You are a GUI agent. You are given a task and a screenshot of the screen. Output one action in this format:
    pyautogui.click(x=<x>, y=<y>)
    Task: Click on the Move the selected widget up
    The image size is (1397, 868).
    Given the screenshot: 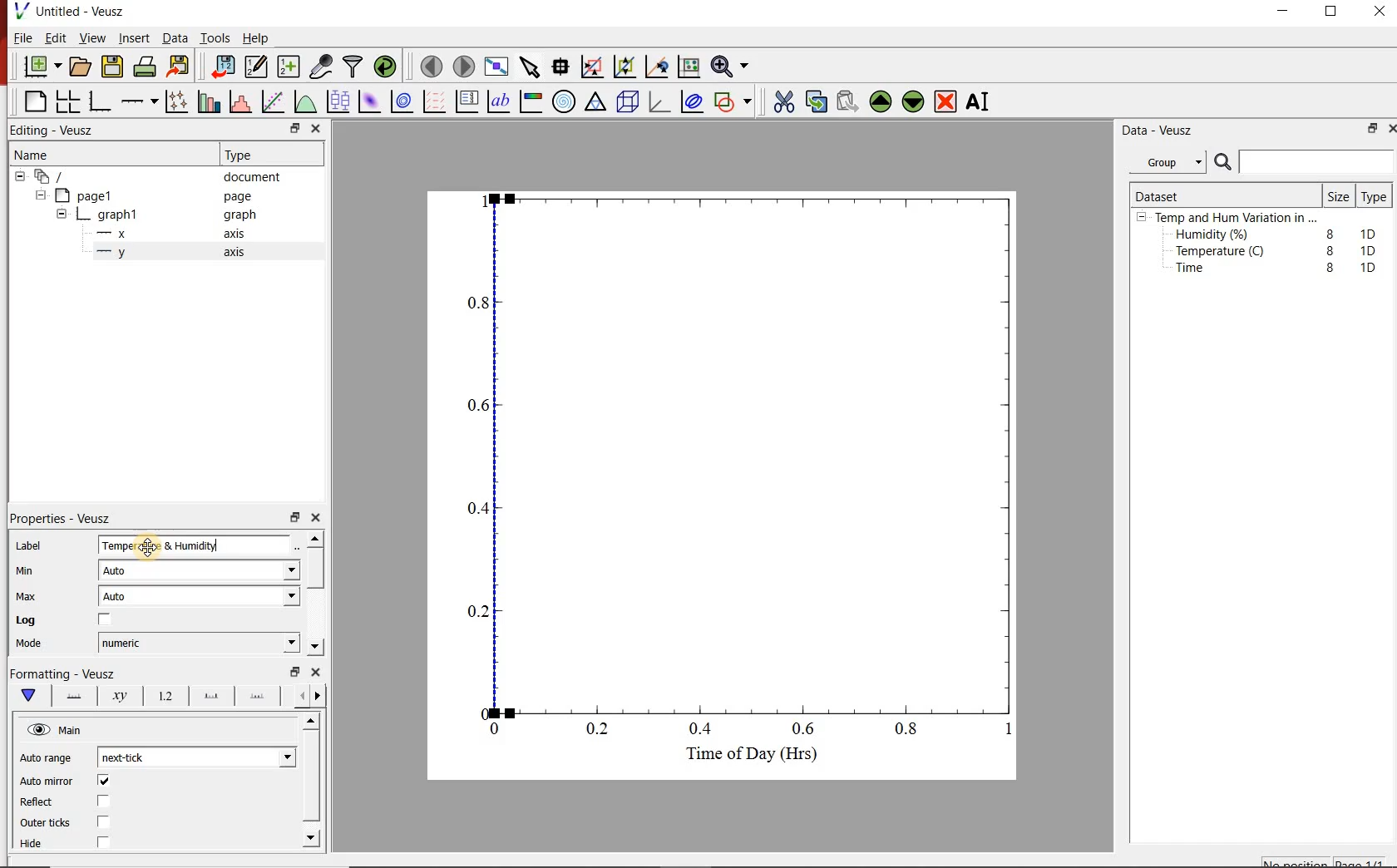 What is the action you would take?
    pyautogui.click(x=881, y=100)
    